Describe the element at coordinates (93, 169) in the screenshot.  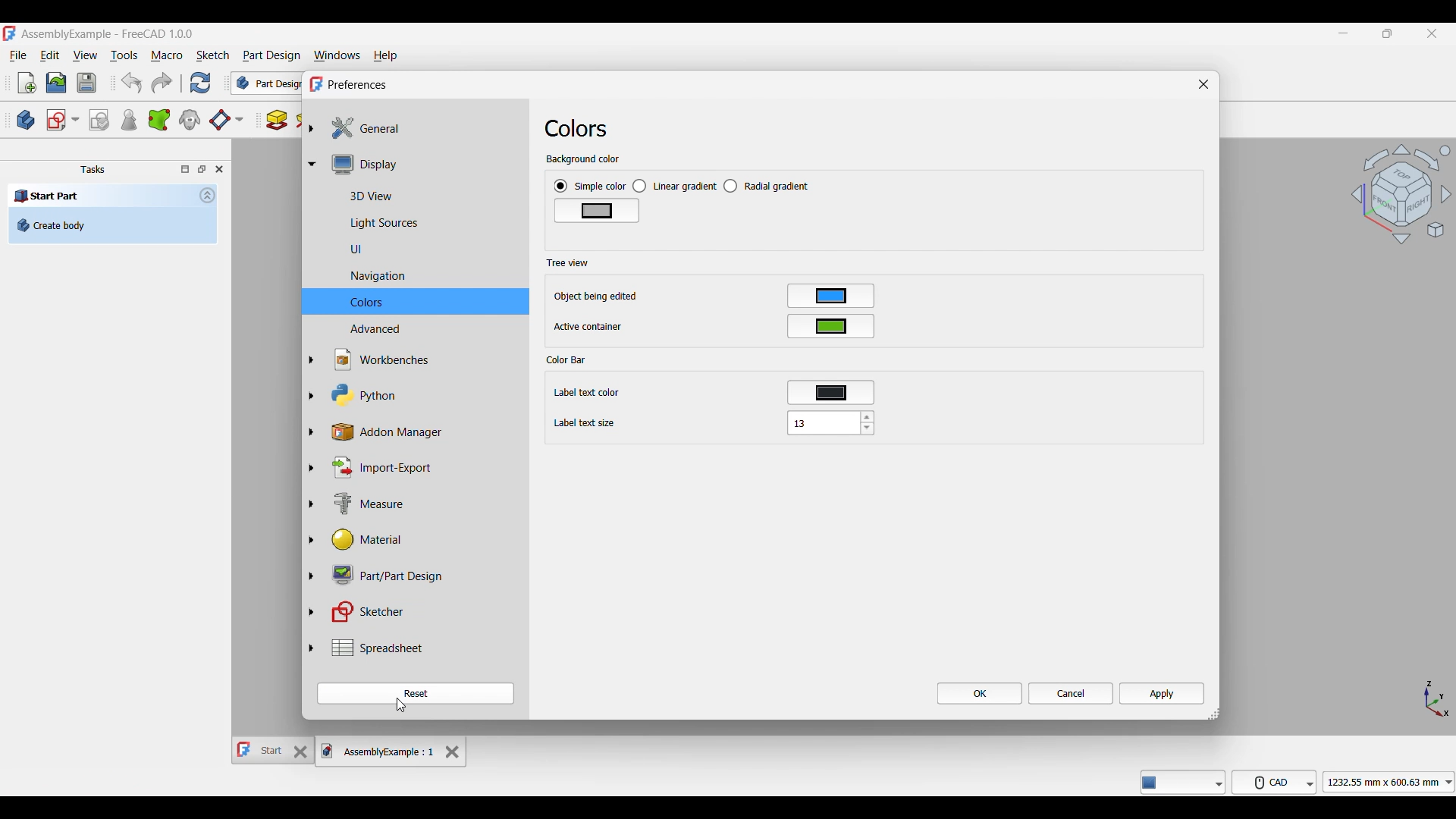
I see `Tasks - pane title ` at that location.